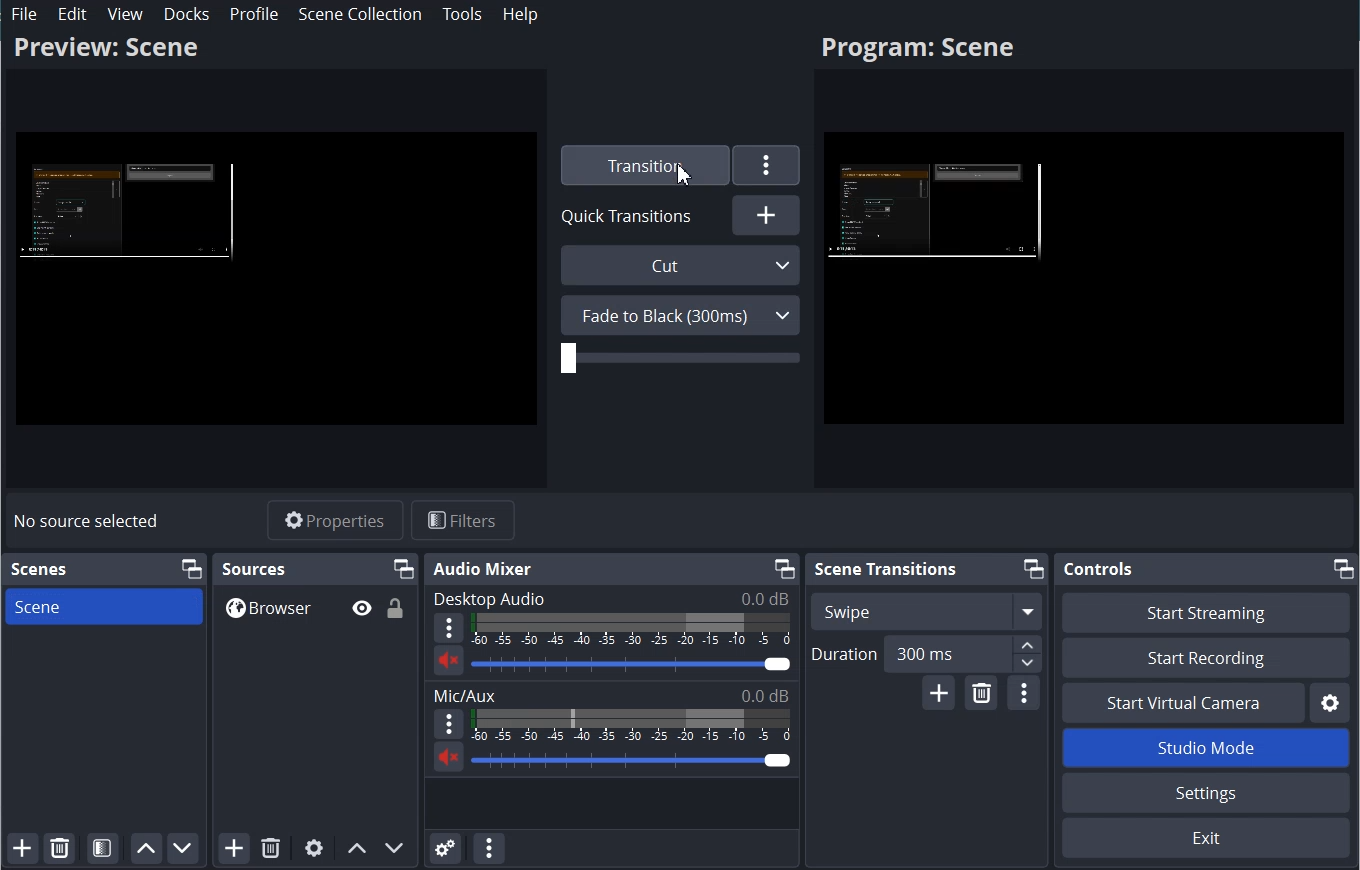 This screenshot has width=1360, height=870. What do you see at coordinates (927, 611) in the screenshot?
I see `Swipe` at bounding box center [927, 611].